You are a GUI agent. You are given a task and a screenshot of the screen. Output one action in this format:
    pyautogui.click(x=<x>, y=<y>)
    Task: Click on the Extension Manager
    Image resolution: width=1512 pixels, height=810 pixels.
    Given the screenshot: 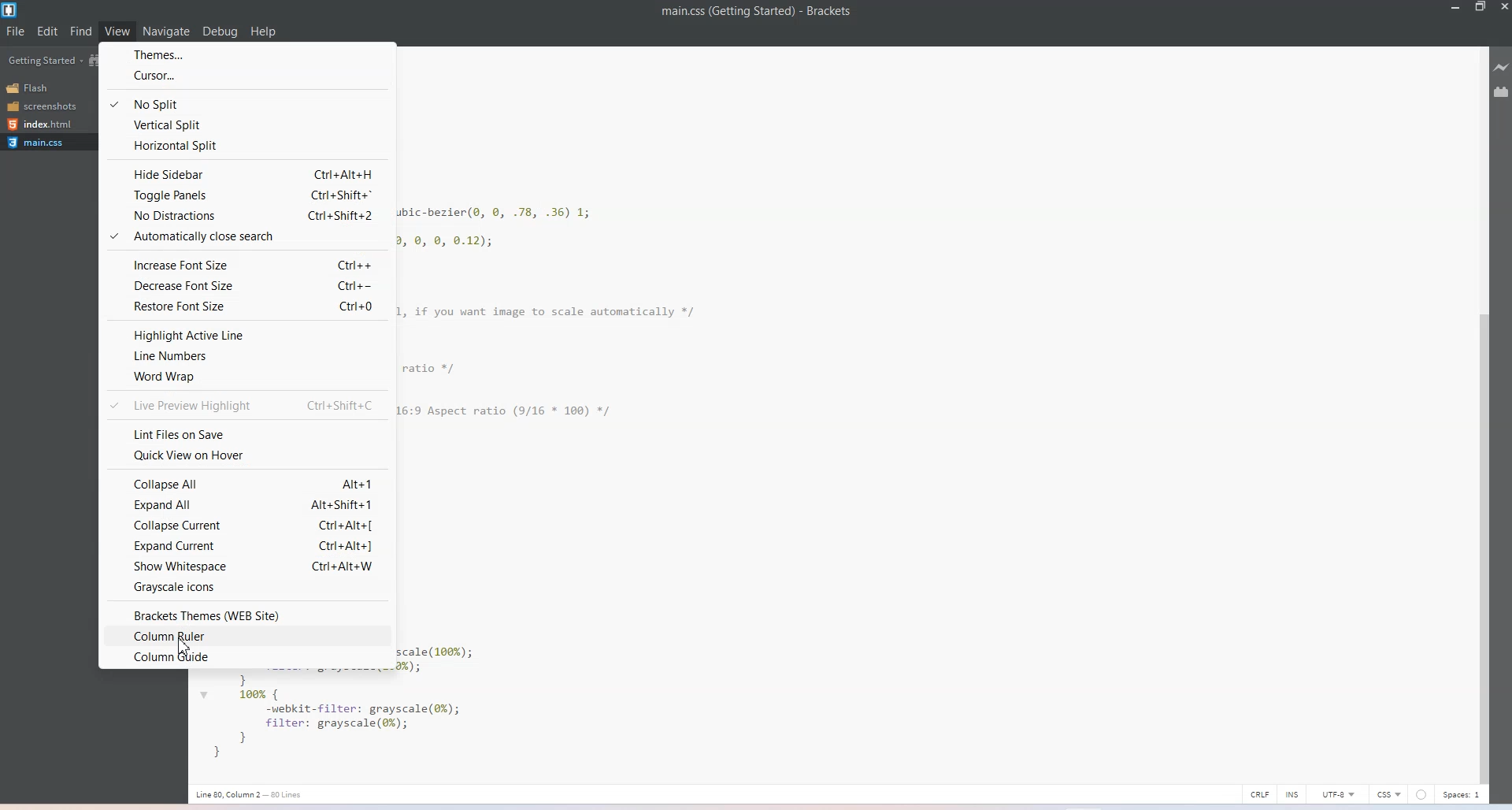 What is the action you would take?
    pyautogui.click(x=1503, y=93)
    